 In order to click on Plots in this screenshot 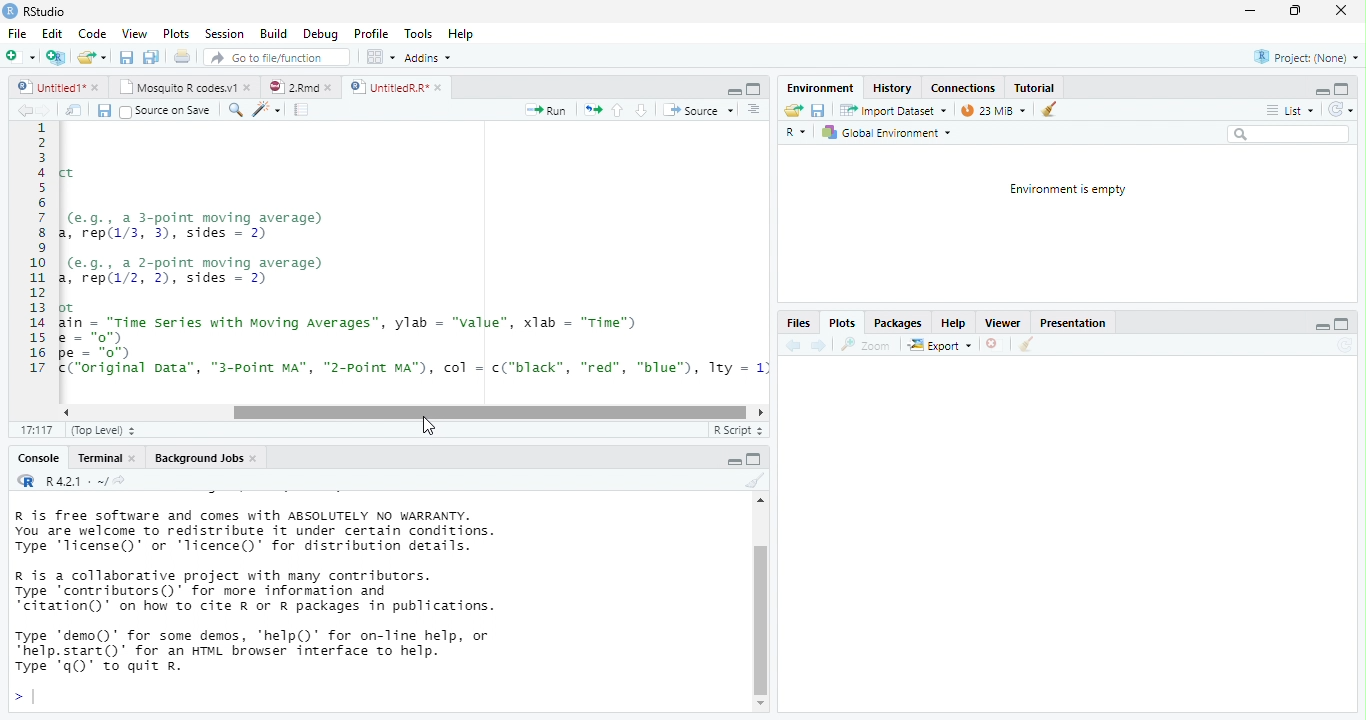, I will do `click(177, 34)`.